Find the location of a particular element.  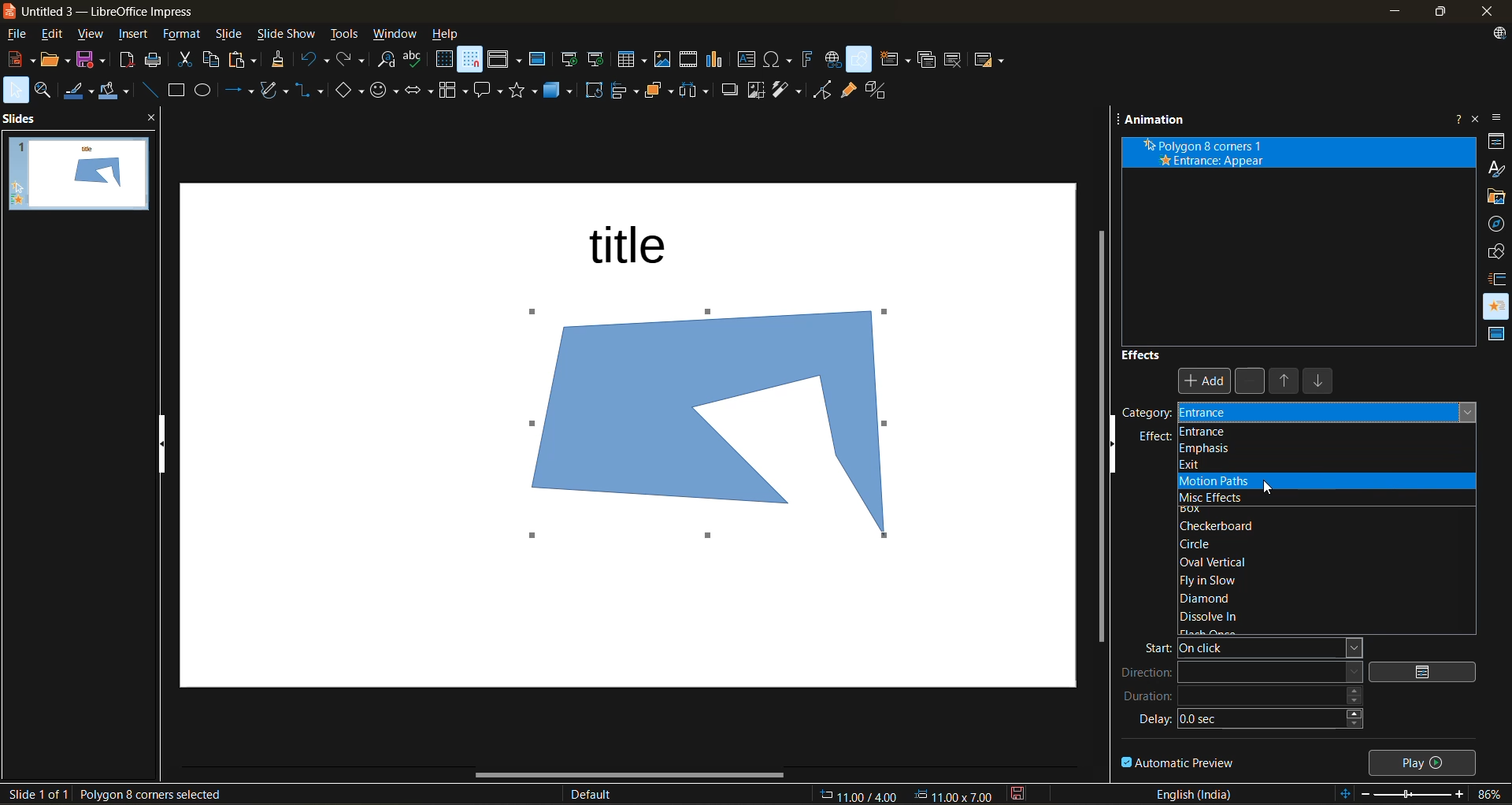

slide master name is located at coordinates (598, 796).